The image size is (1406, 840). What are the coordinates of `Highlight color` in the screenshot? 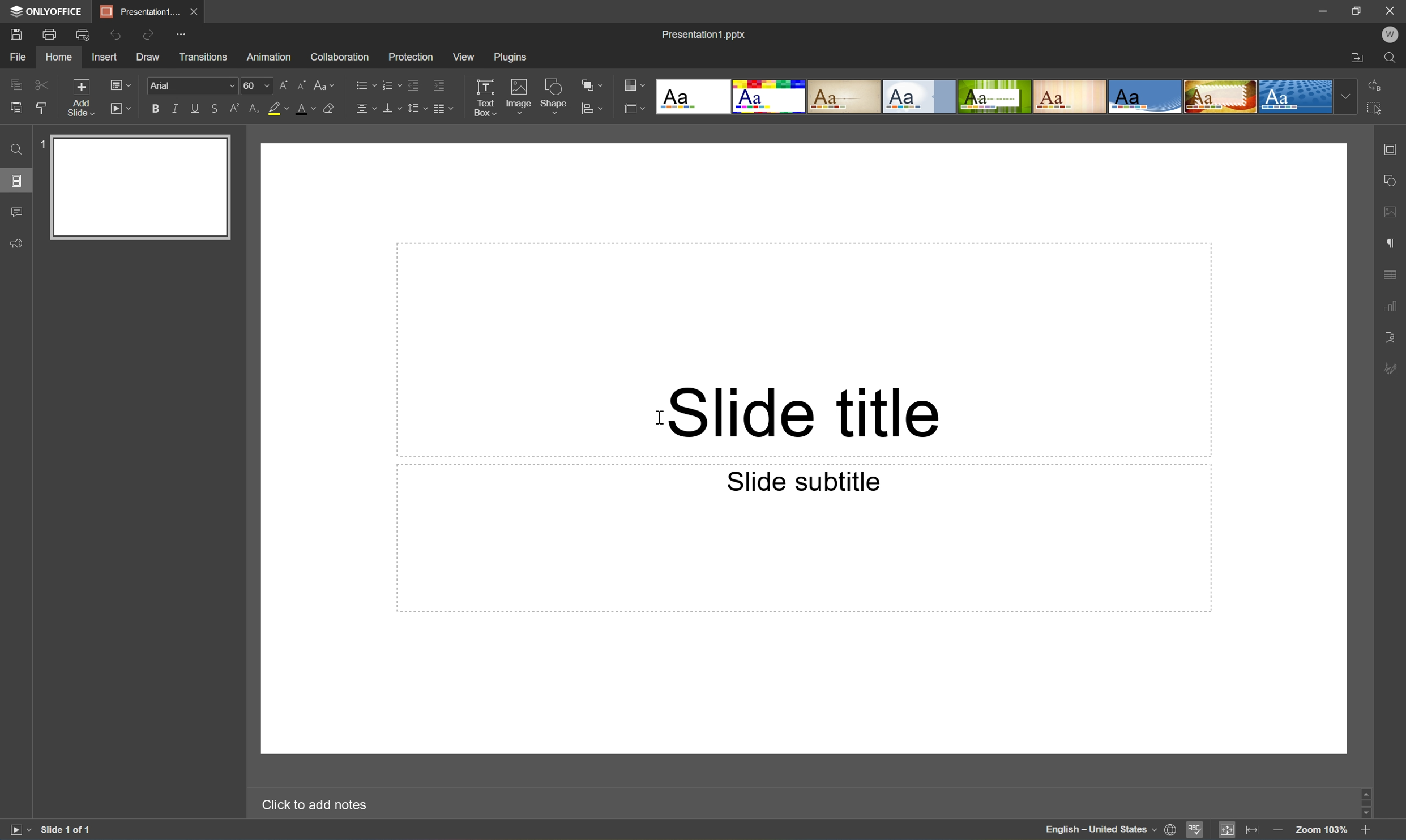 It's located at (281, 107).